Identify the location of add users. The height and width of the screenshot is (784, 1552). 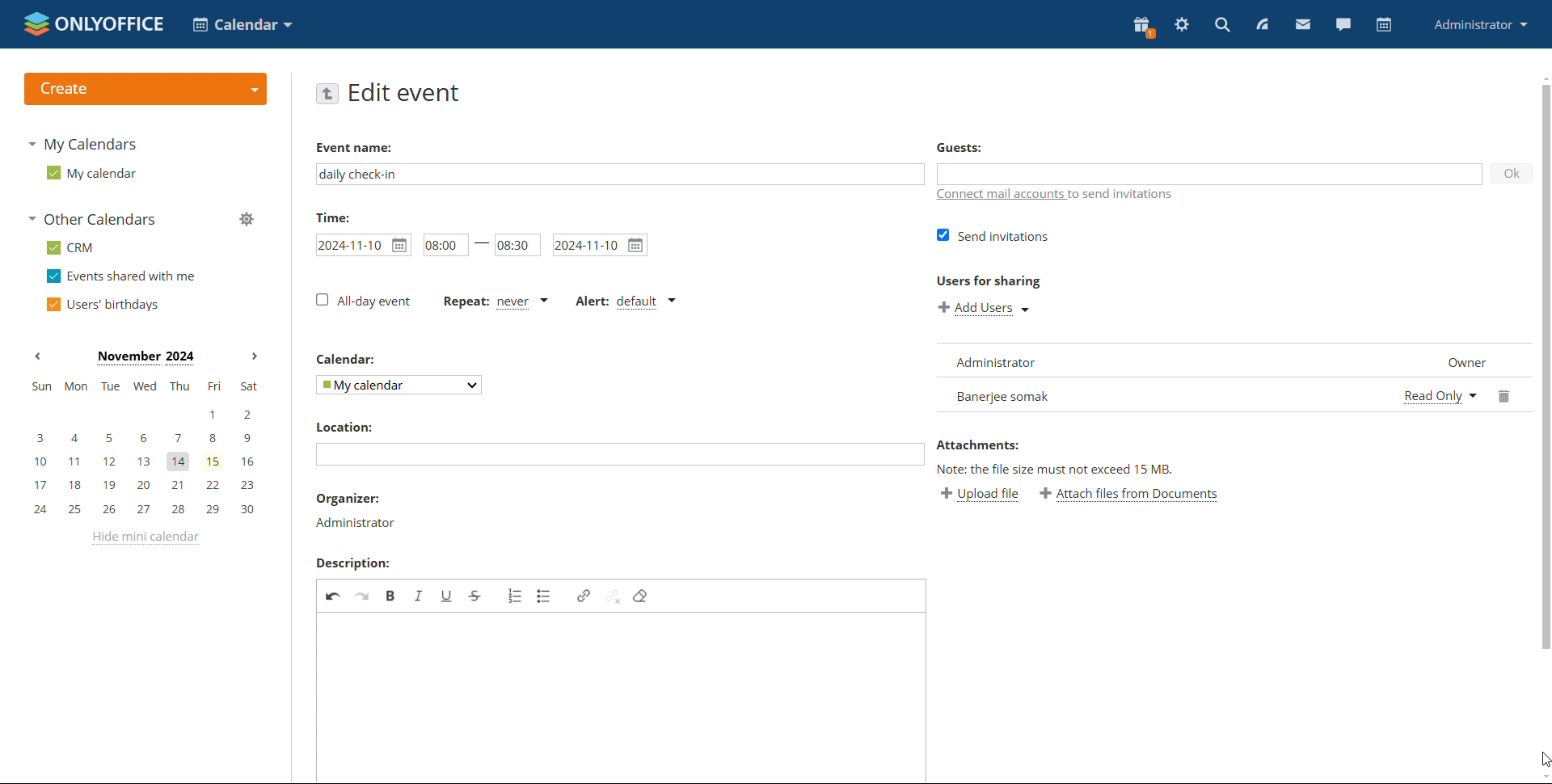
(986, 309).